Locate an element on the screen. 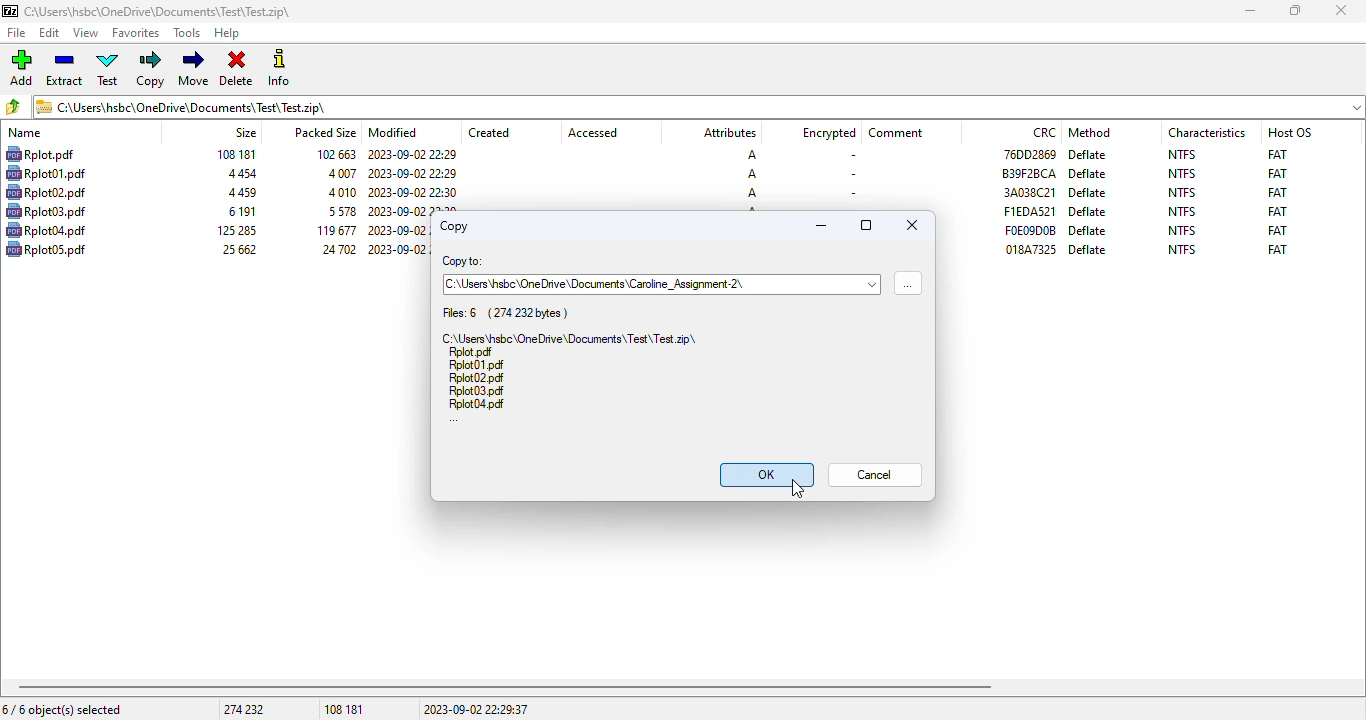 The image size is (1366, 720). A is located at coordinates (752, 193).